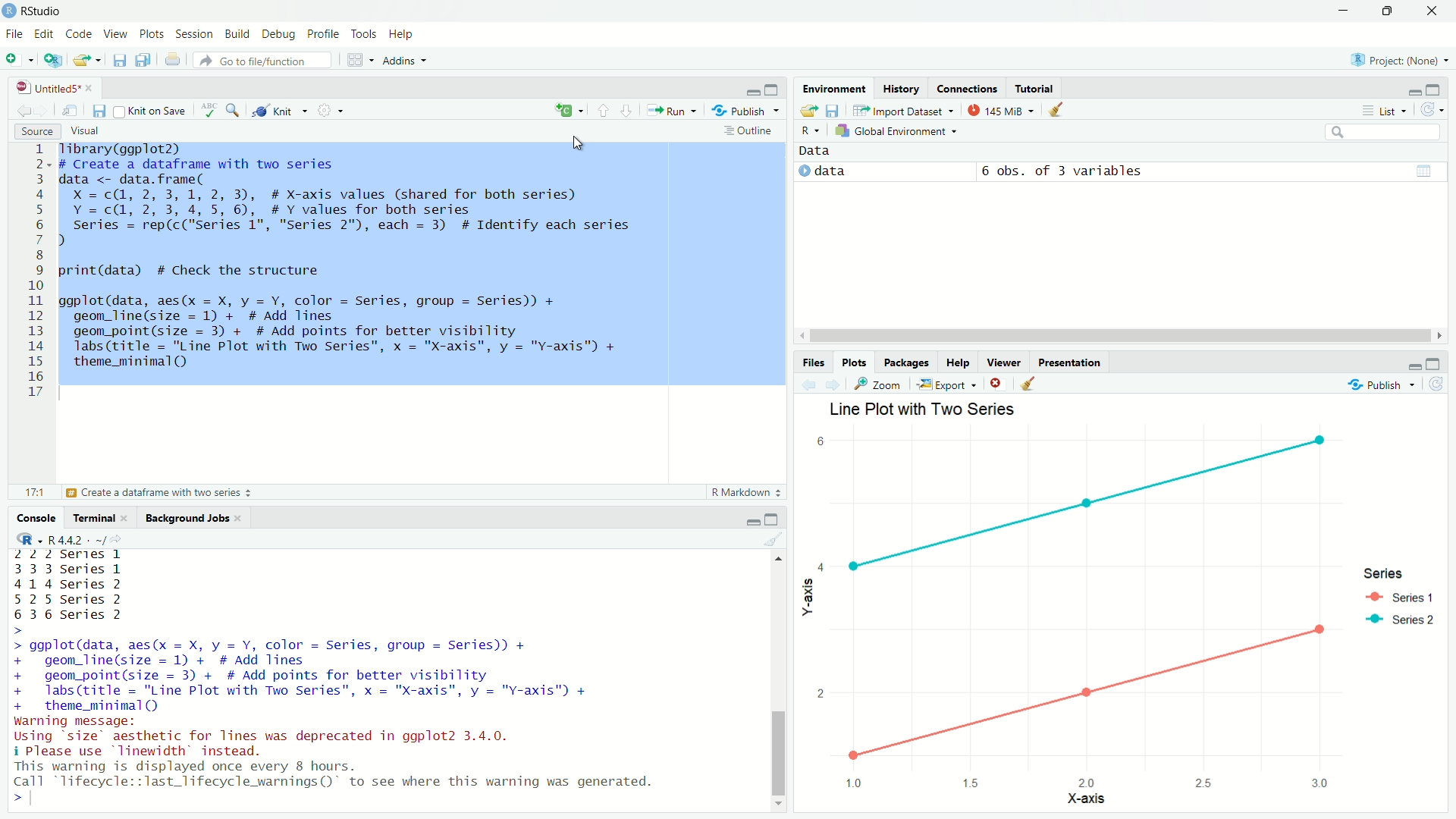  I want to click on input cursor, so click(35, 797).